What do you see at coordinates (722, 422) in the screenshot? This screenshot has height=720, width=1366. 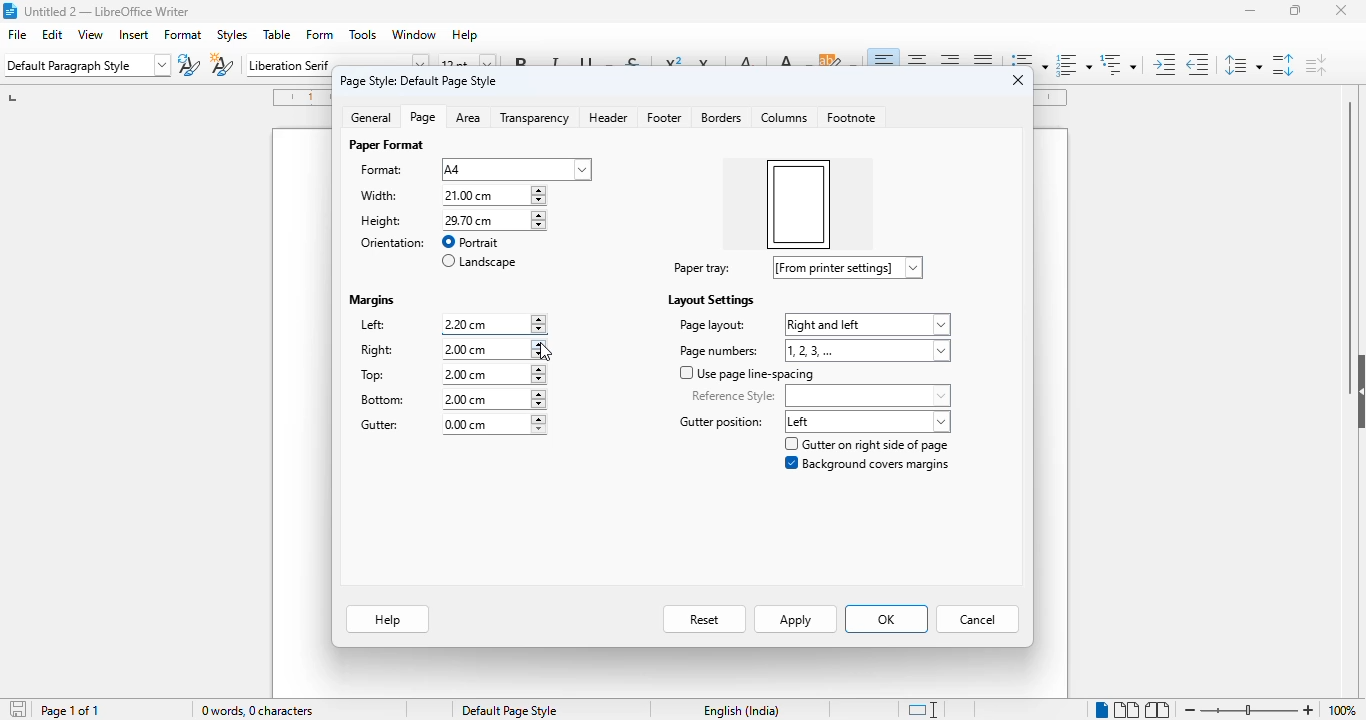 I see `gutter position label` at bounding box center [722, 422].